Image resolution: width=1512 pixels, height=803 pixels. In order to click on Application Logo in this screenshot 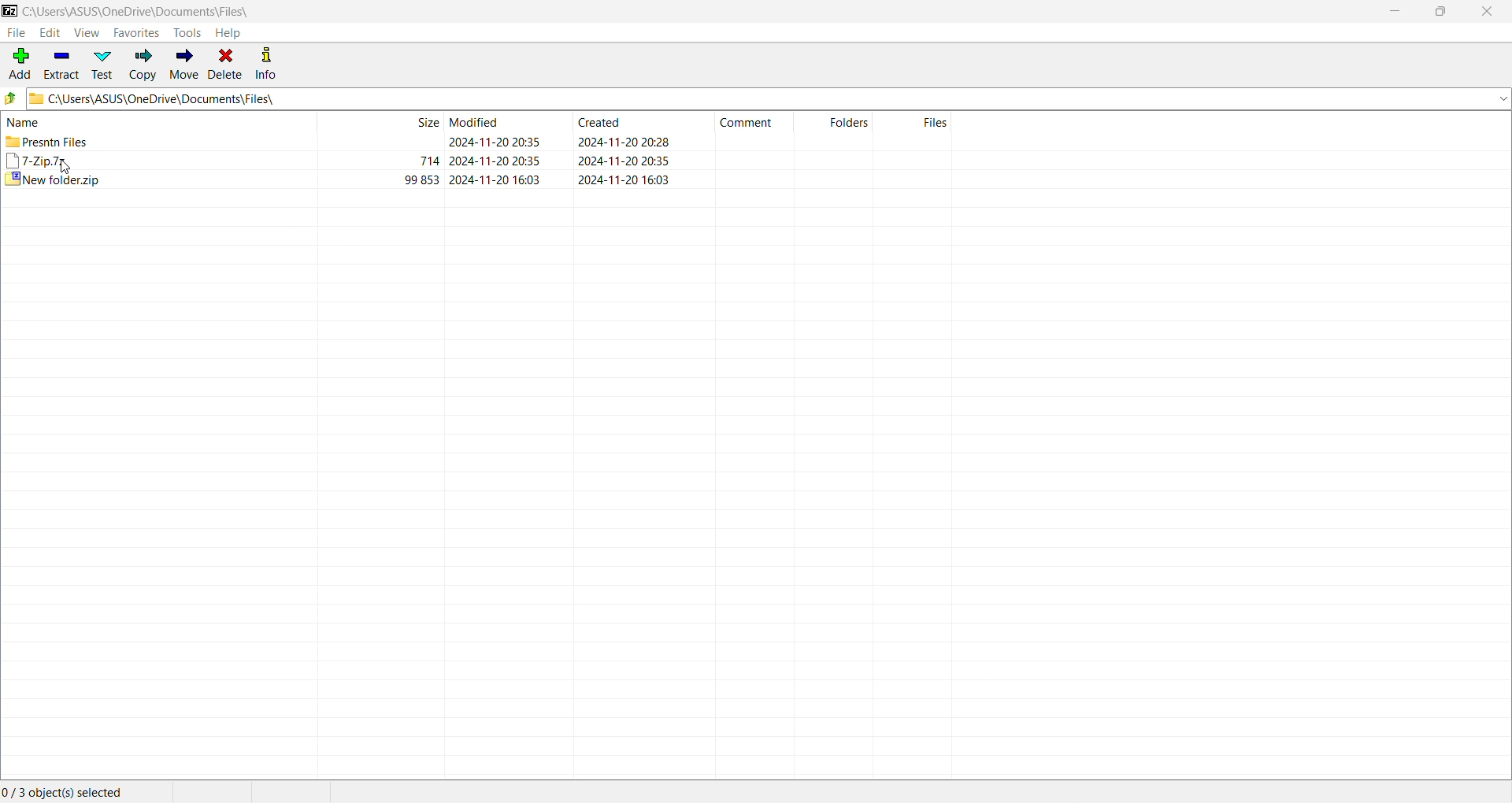, I will do `click(10, 12)`.